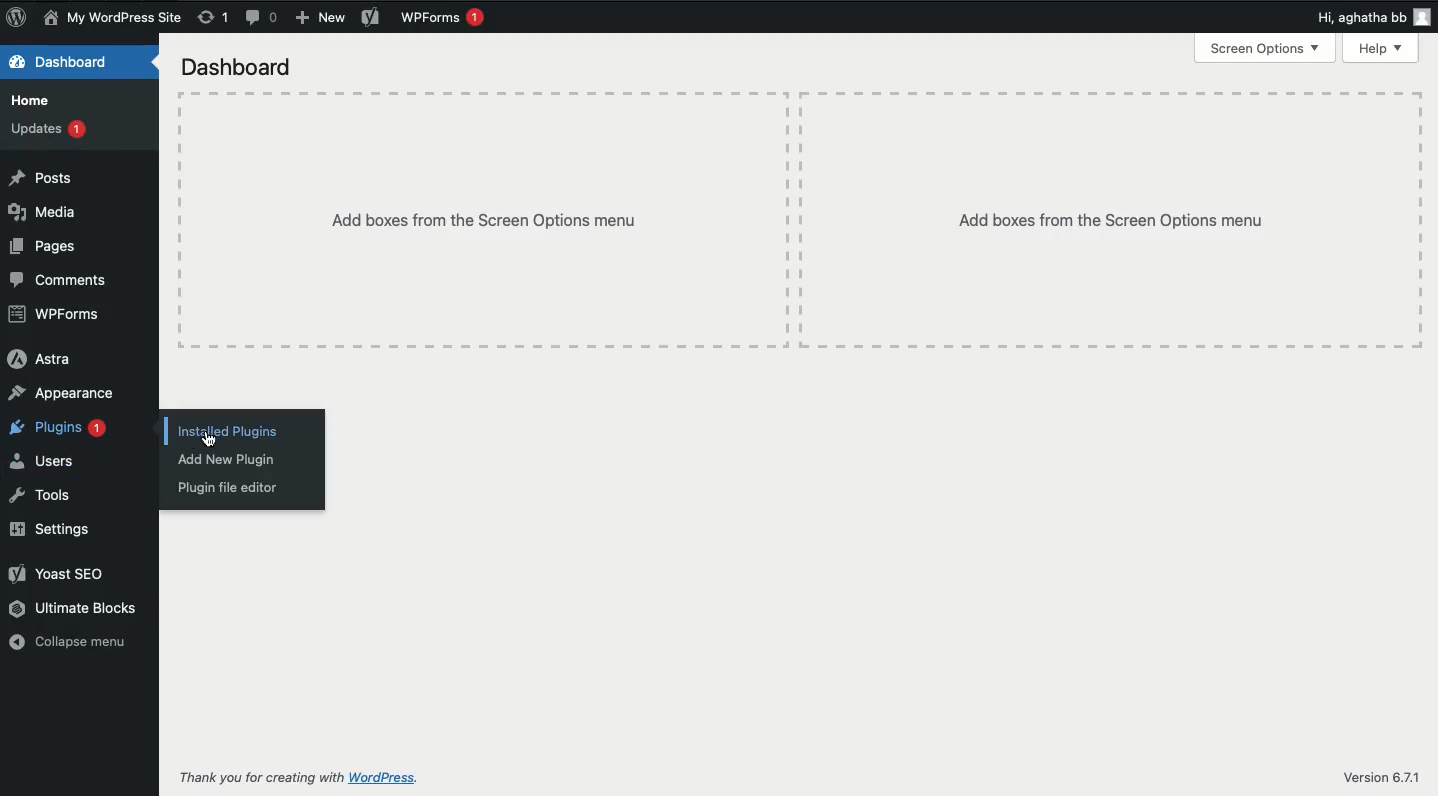 The width and height of the screenshot is (1438, 796). I want to click on Updates, so click(53, 129).